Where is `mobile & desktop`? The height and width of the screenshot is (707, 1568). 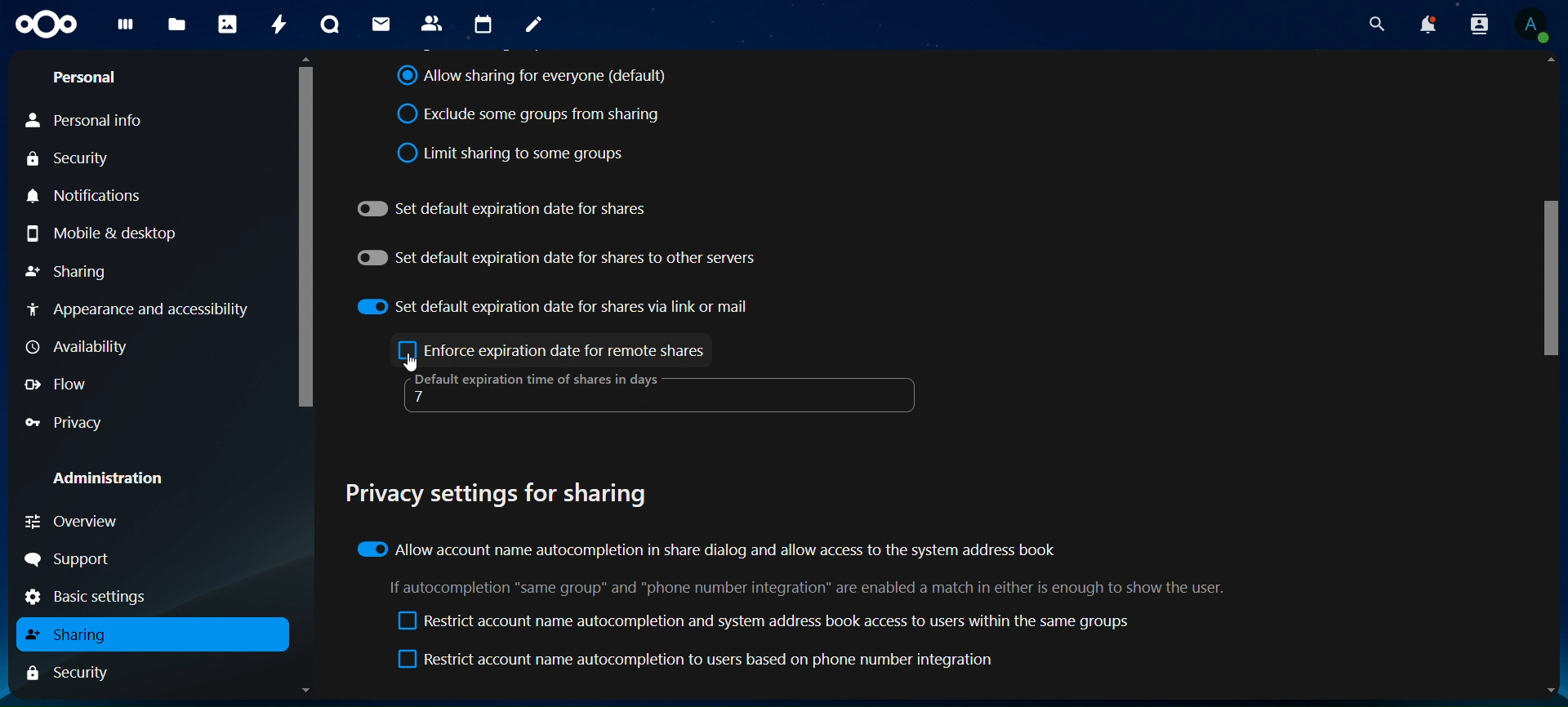
mobile & desktop is located at coordinates (103, 235).